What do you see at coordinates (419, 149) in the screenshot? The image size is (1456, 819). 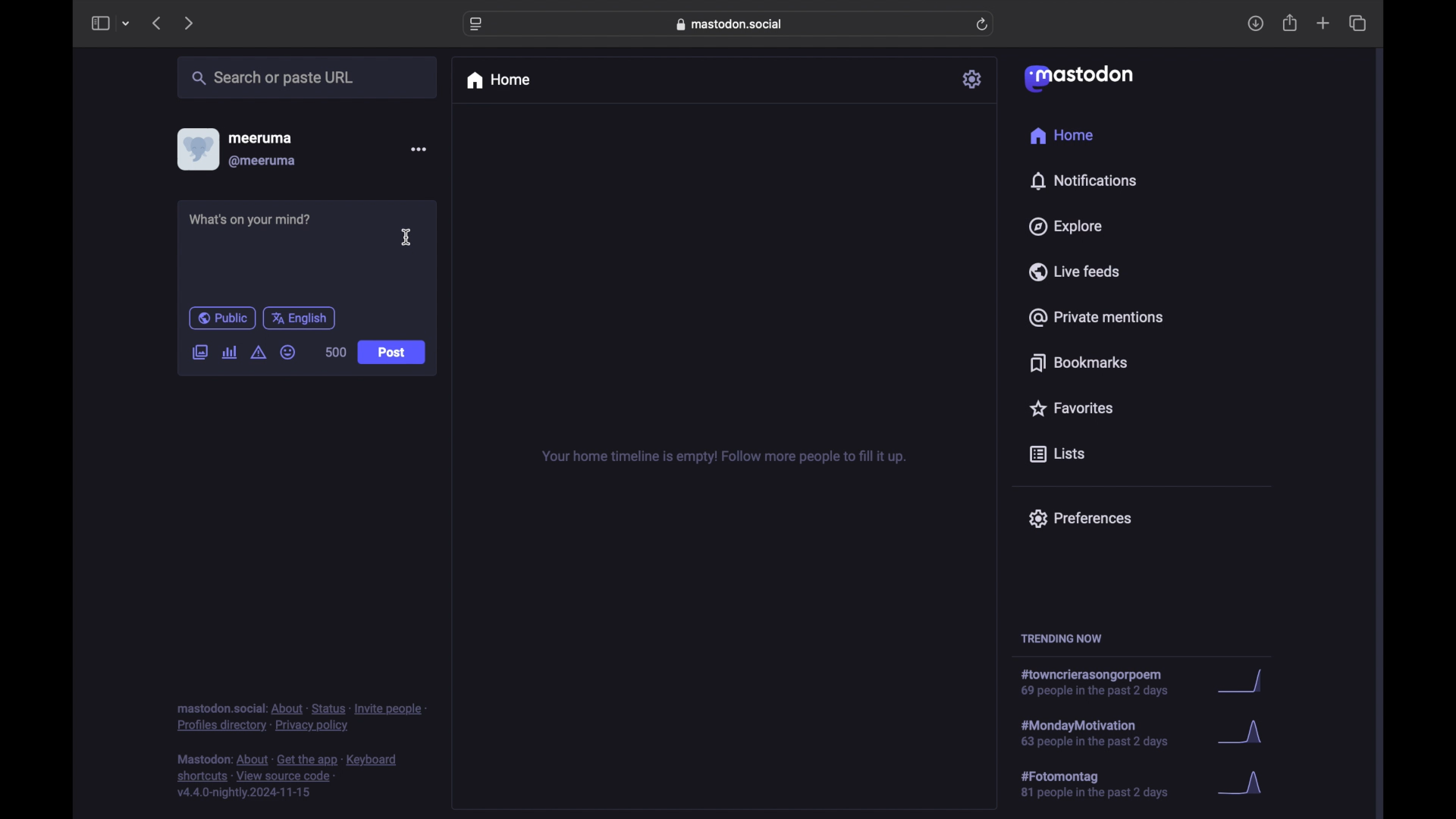 I see `more options` at bounding box center [419, 149].